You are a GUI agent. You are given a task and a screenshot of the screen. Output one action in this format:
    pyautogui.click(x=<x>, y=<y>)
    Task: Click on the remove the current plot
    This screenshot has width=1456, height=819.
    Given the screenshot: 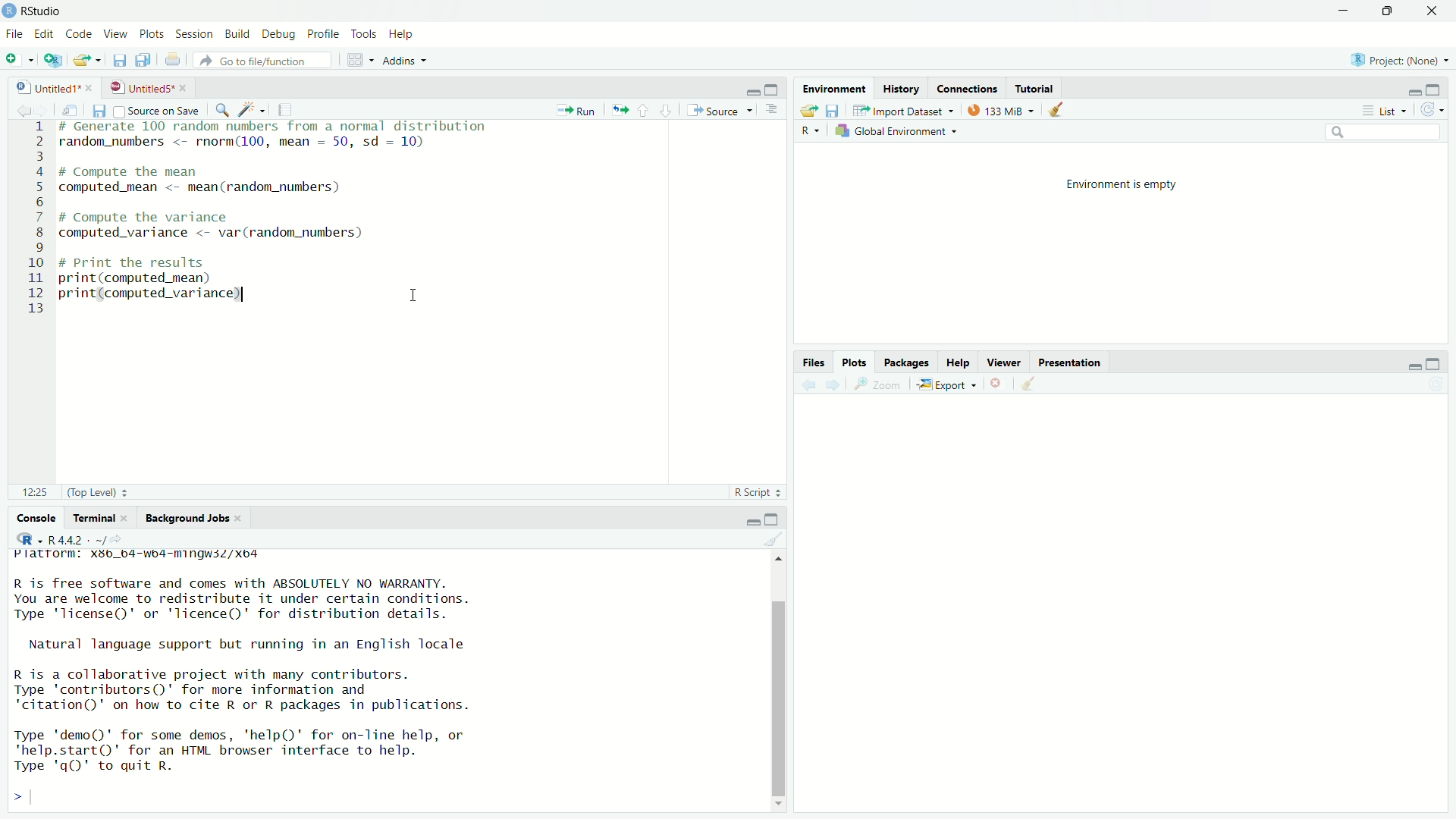 What is the action you would take?
    pyautogui.click(x=997, y=384)
    